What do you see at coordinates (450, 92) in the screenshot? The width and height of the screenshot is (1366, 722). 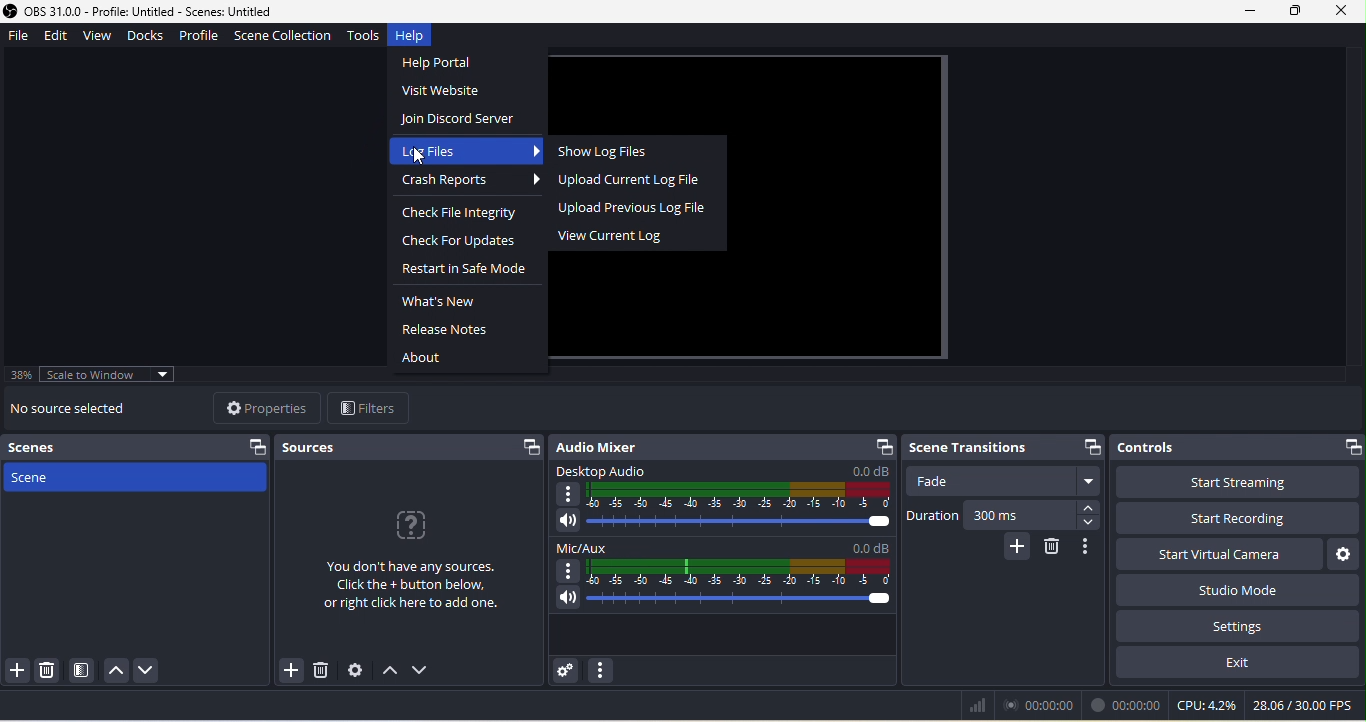 I see `visit website` at bounding box center [450, 92].